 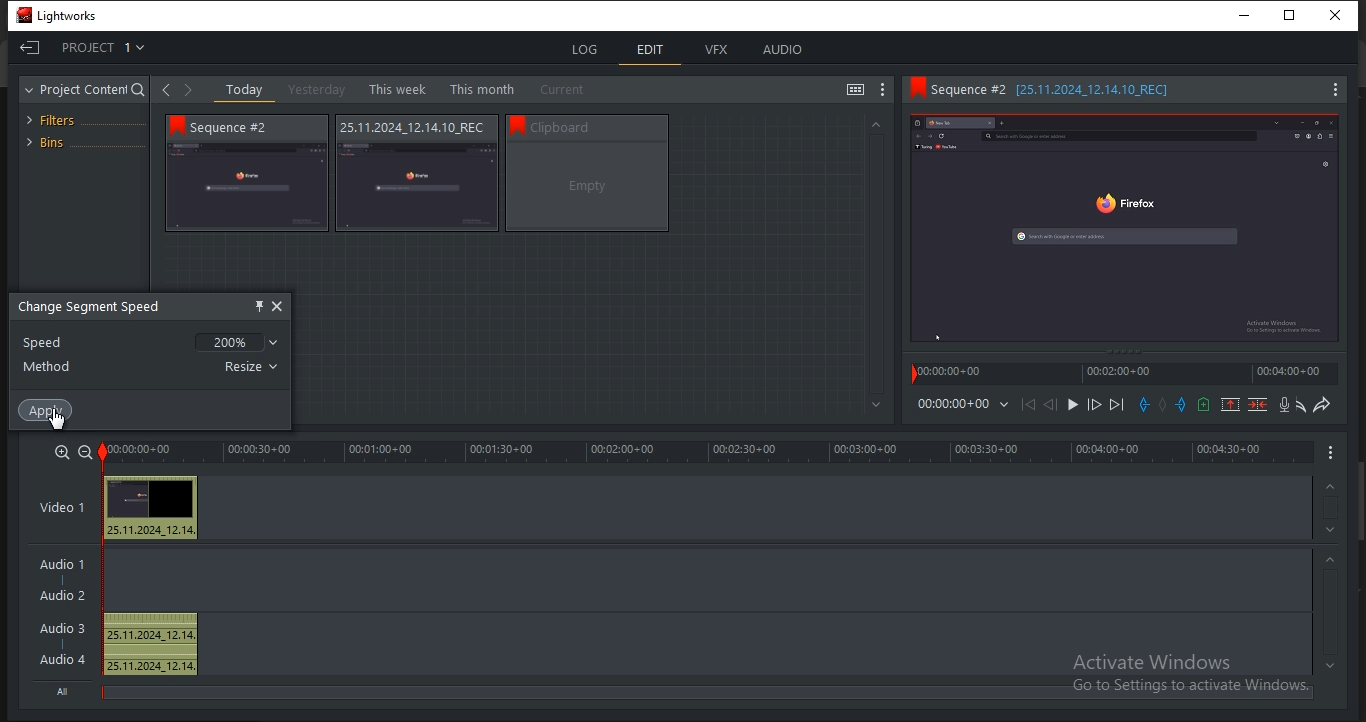 I want to click on vfx, so click(x=718, y=51).